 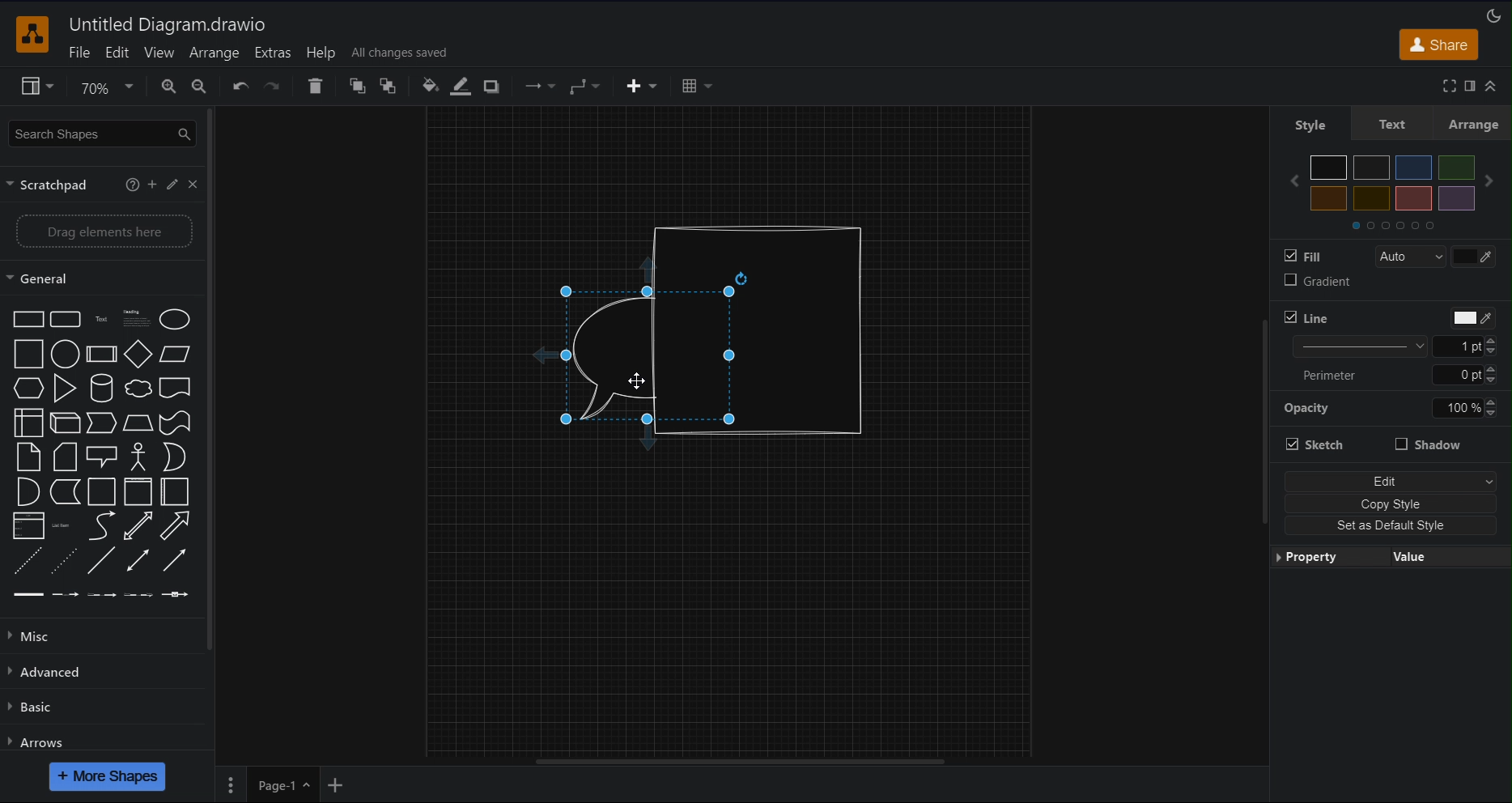 I want to click on Text, so click(x=1398, y=123).